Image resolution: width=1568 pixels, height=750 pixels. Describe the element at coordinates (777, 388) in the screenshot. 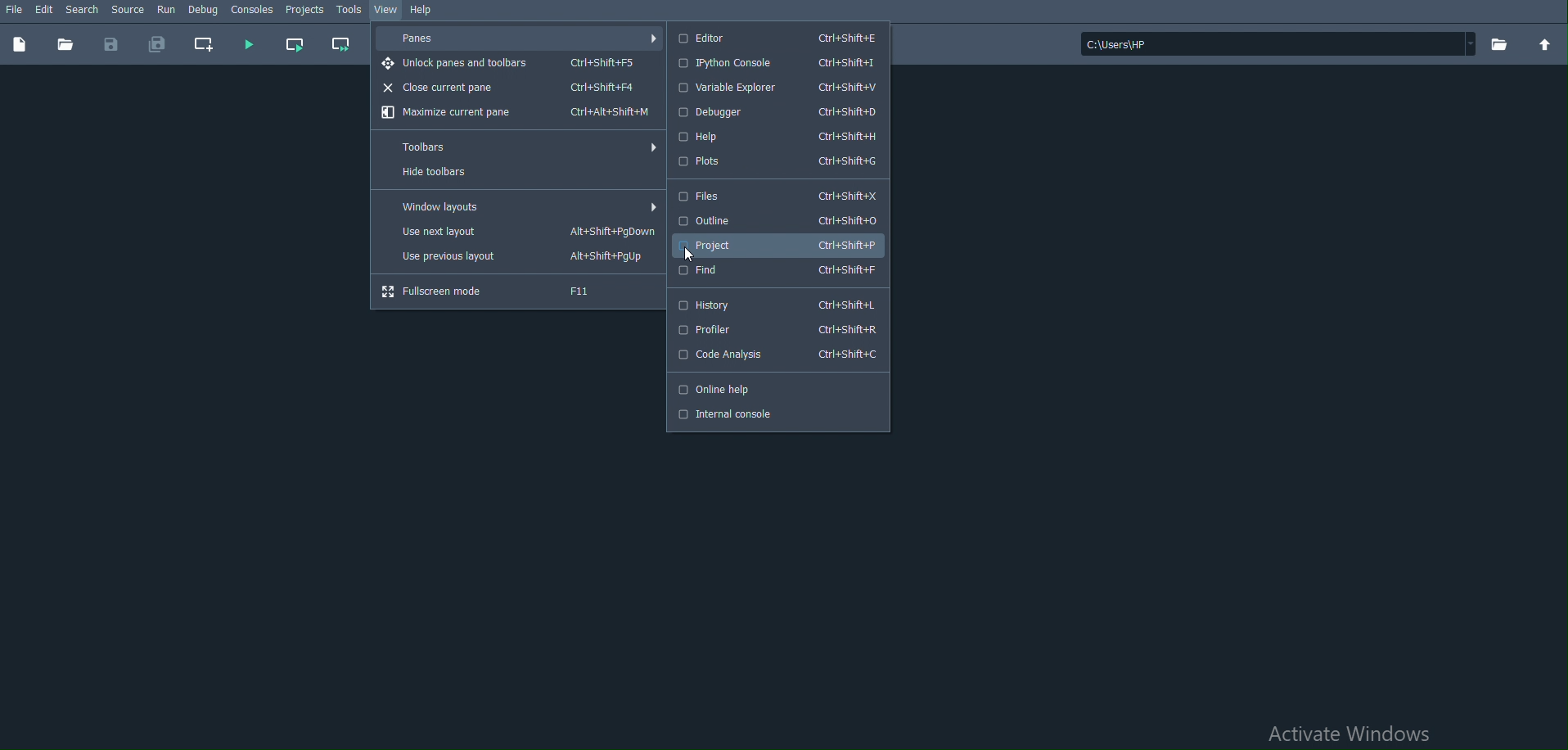

I see `Online help` at that location.